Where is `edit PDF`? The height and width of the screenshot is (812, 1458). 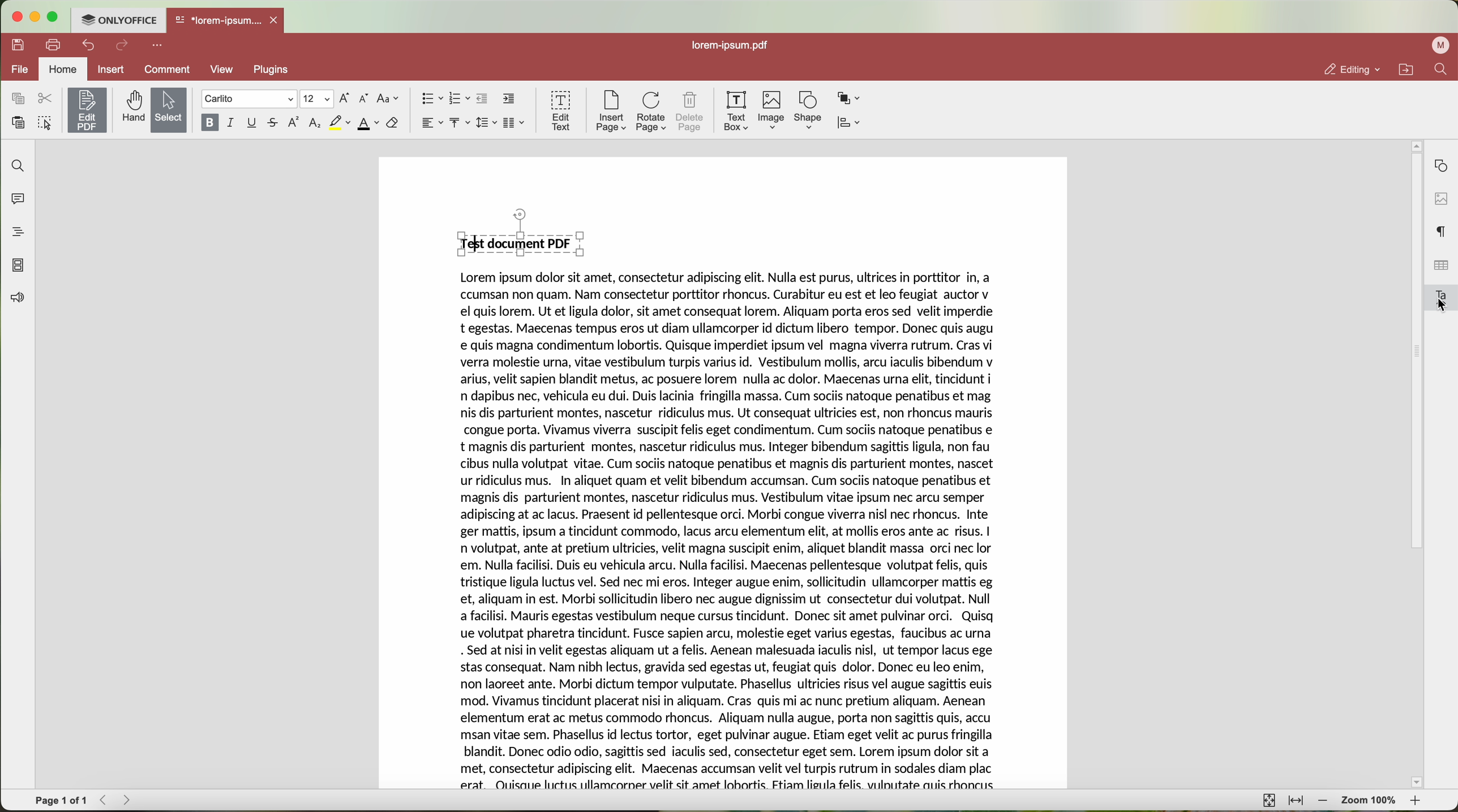
edit PDF is located at coordinates (85, 110).